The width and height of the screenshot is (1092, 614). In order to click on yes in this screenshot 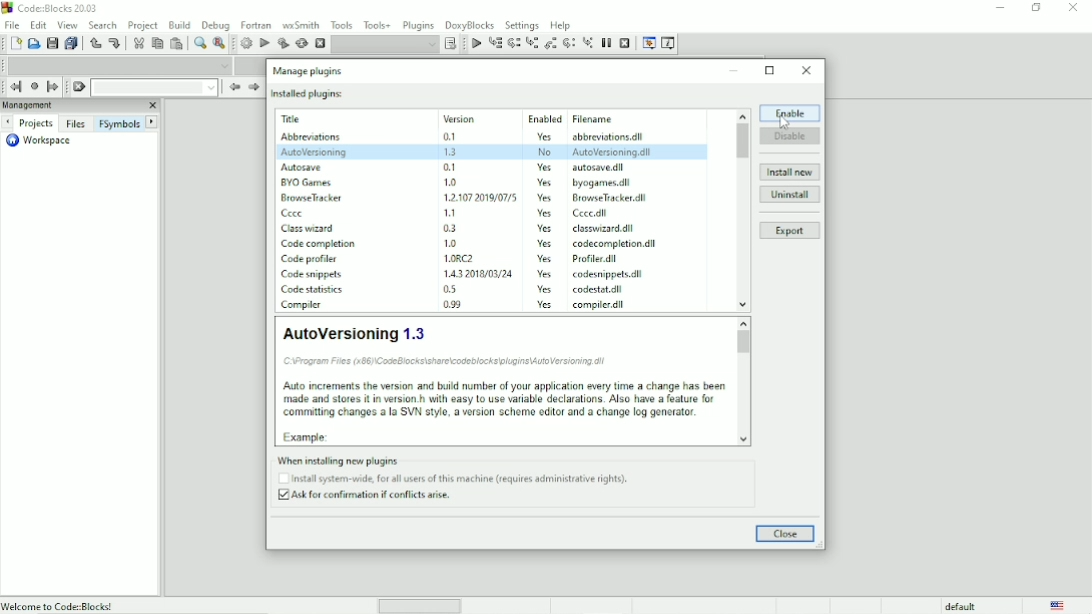, I will do `click(545, 166)`.